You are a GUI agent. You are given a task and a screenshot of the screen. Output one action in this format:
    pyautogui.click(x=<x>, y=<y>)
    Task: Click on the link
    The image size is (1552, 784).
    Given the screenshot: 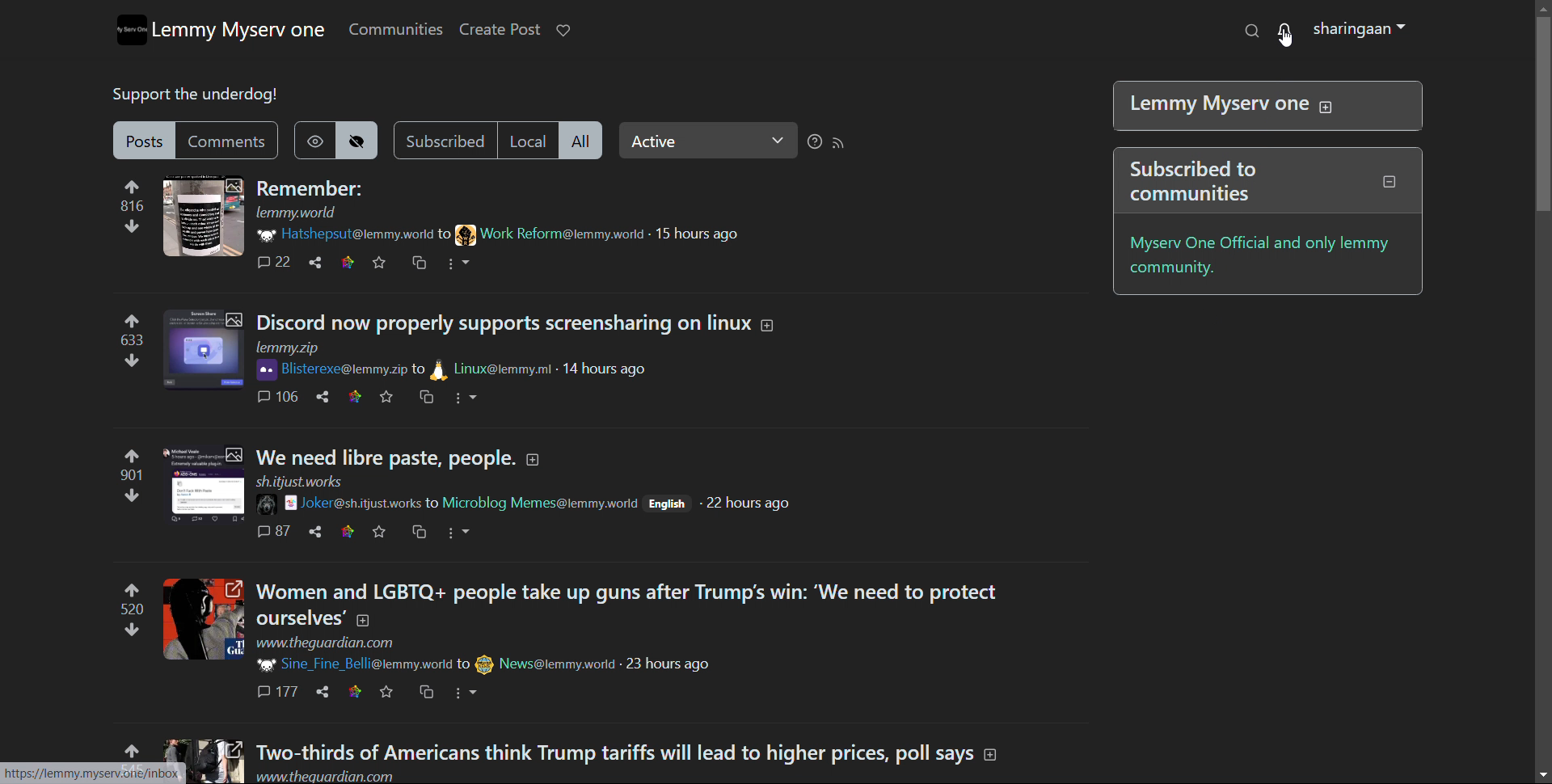 What is the action you would take?
    pyautogui.click(x=356, y=396)
    